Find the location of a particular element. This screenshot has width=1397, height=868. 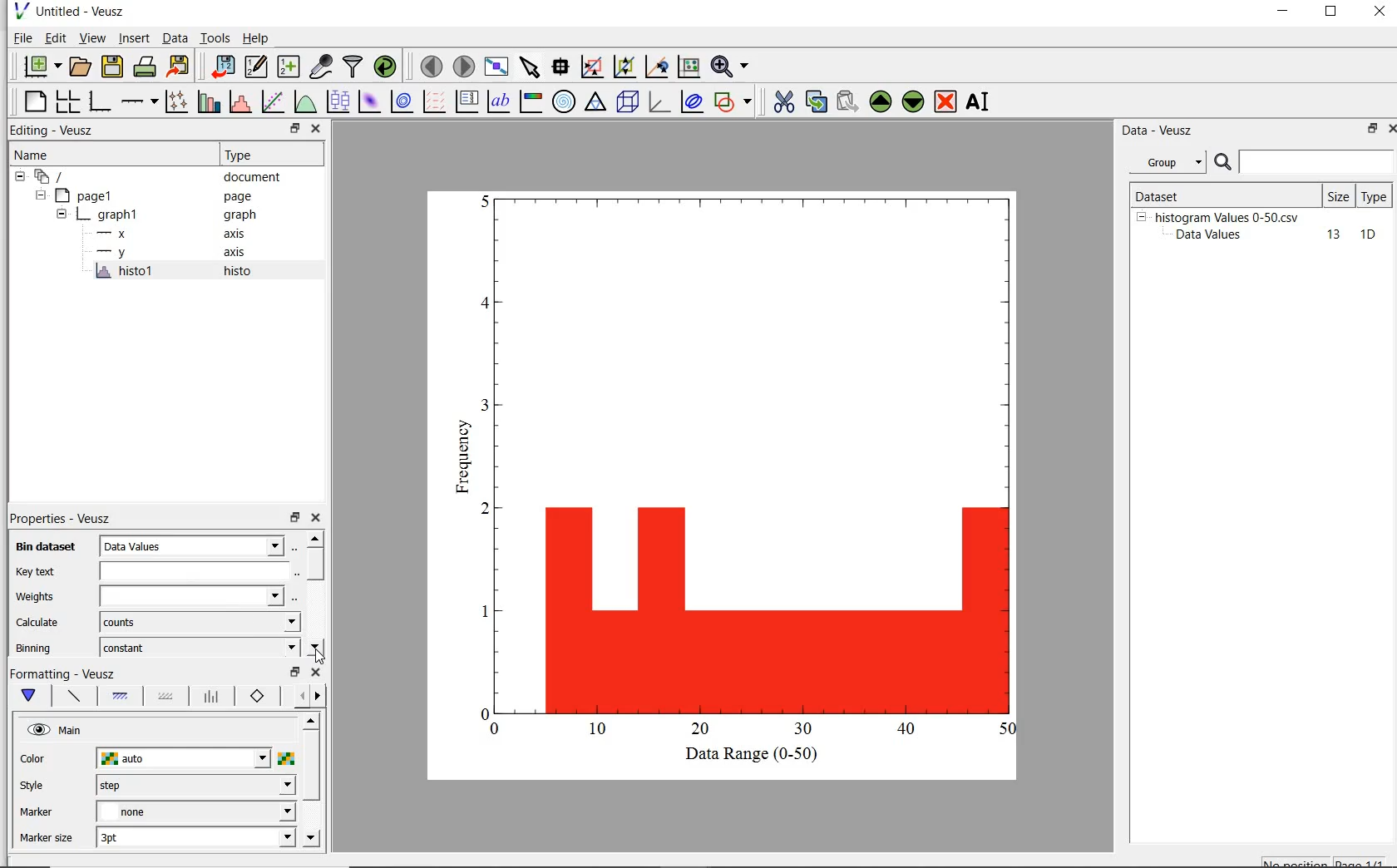

edit and create new datasets is located at coordinates (256, 66).